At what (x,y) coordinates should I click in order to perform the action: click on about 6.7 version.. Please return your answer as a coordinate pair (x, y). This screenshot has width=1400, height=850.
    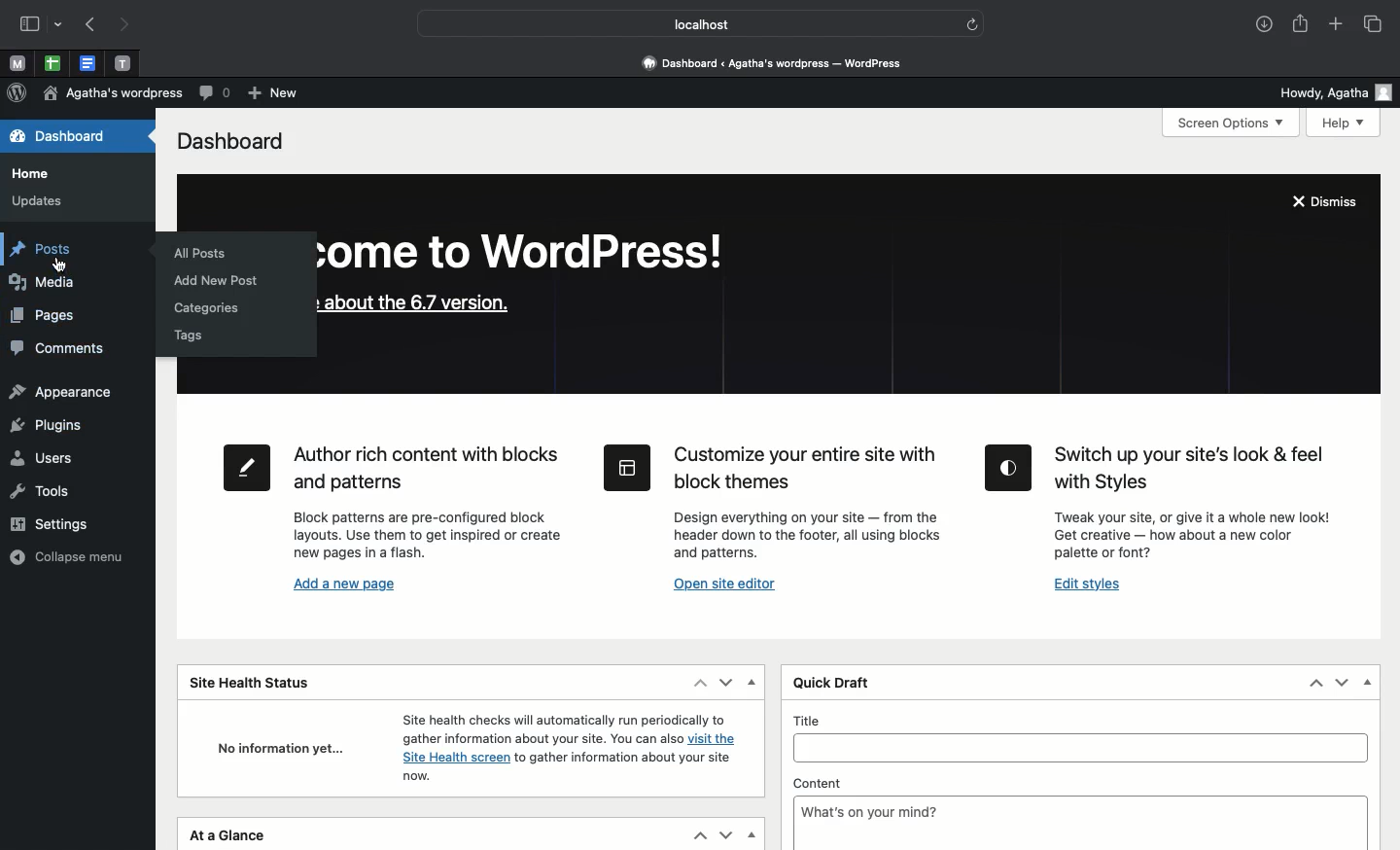
    Looking at the image, I should click on (414, 306).